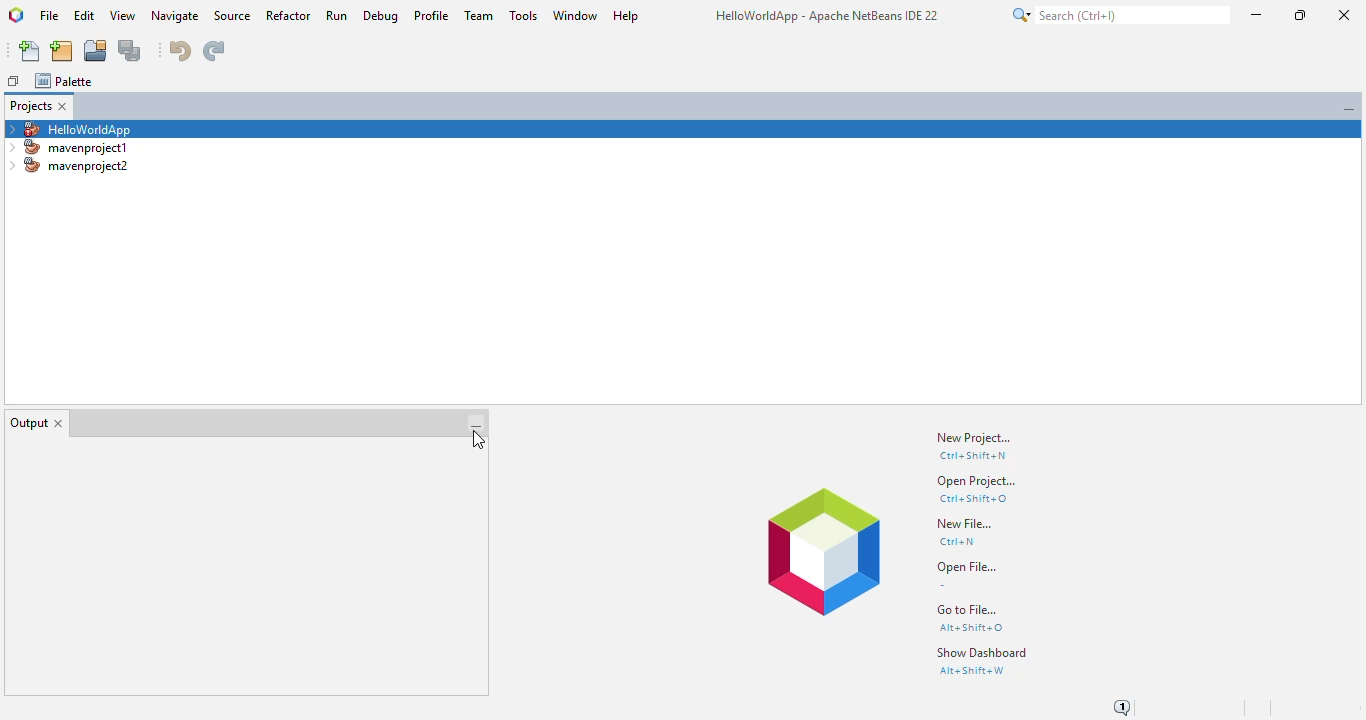  I want to click on close window, so click(63, 106).